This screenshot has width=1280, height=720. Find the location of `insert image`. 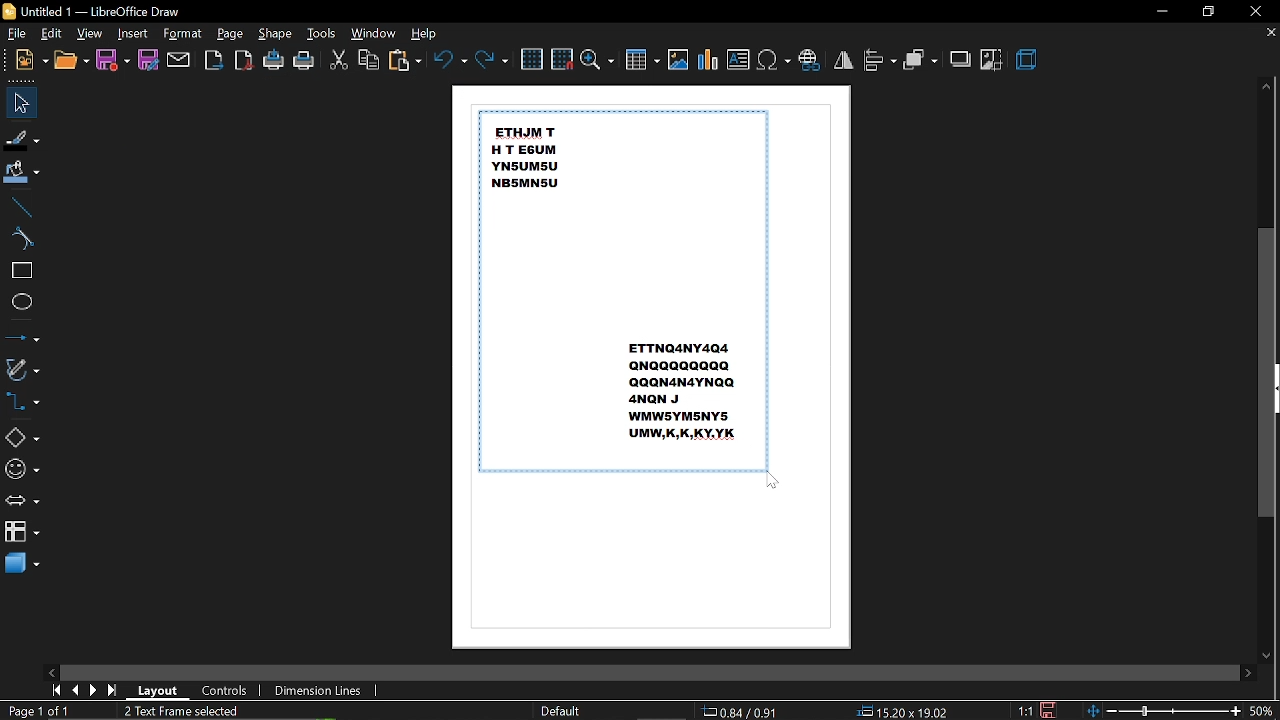

insert image is located at coordinates (678, 60).